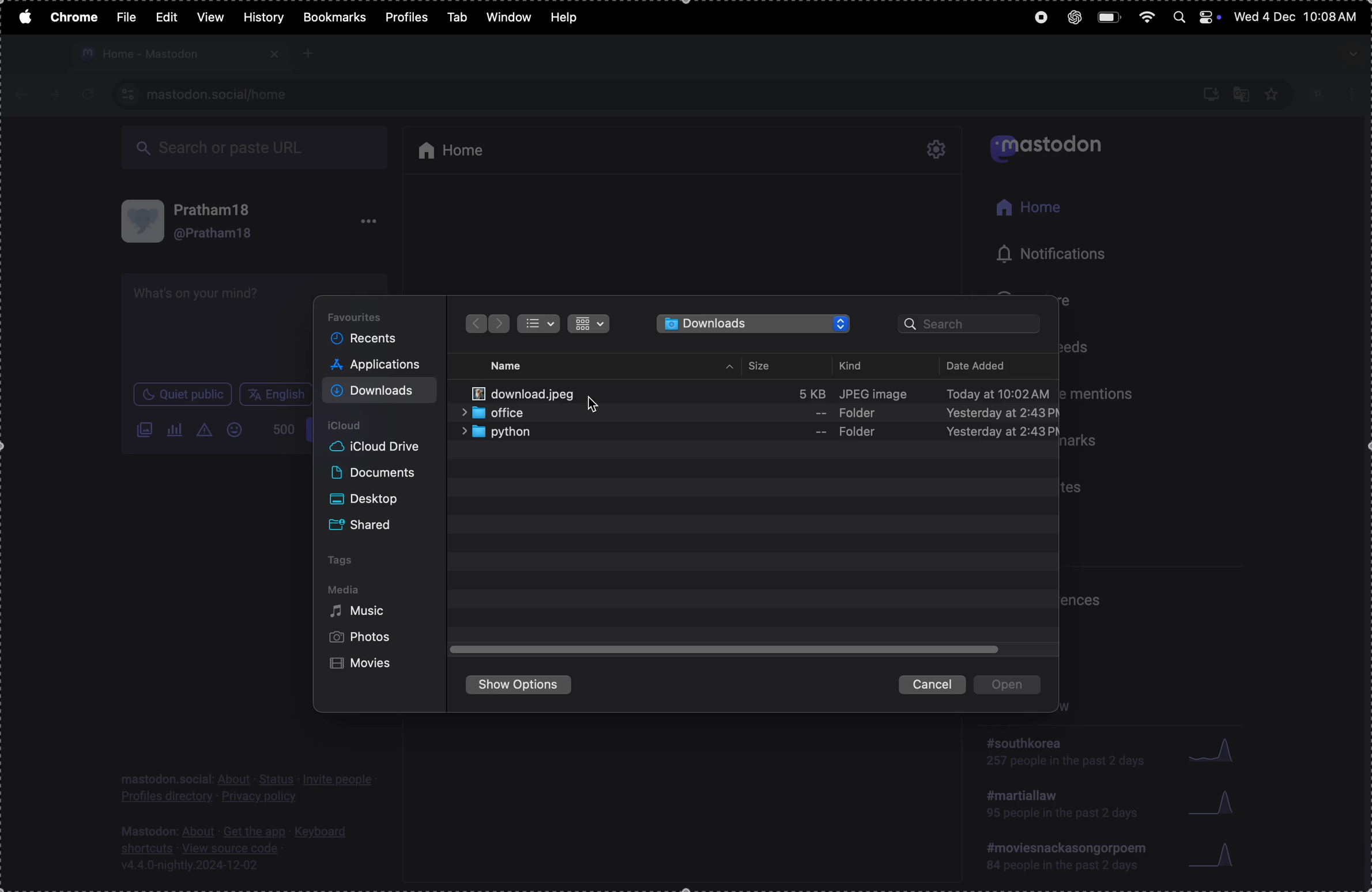  What do you see at coordinates (1195, 16) in the screenshot?
I see `apple widgets` at bounding box center [1195, 16].